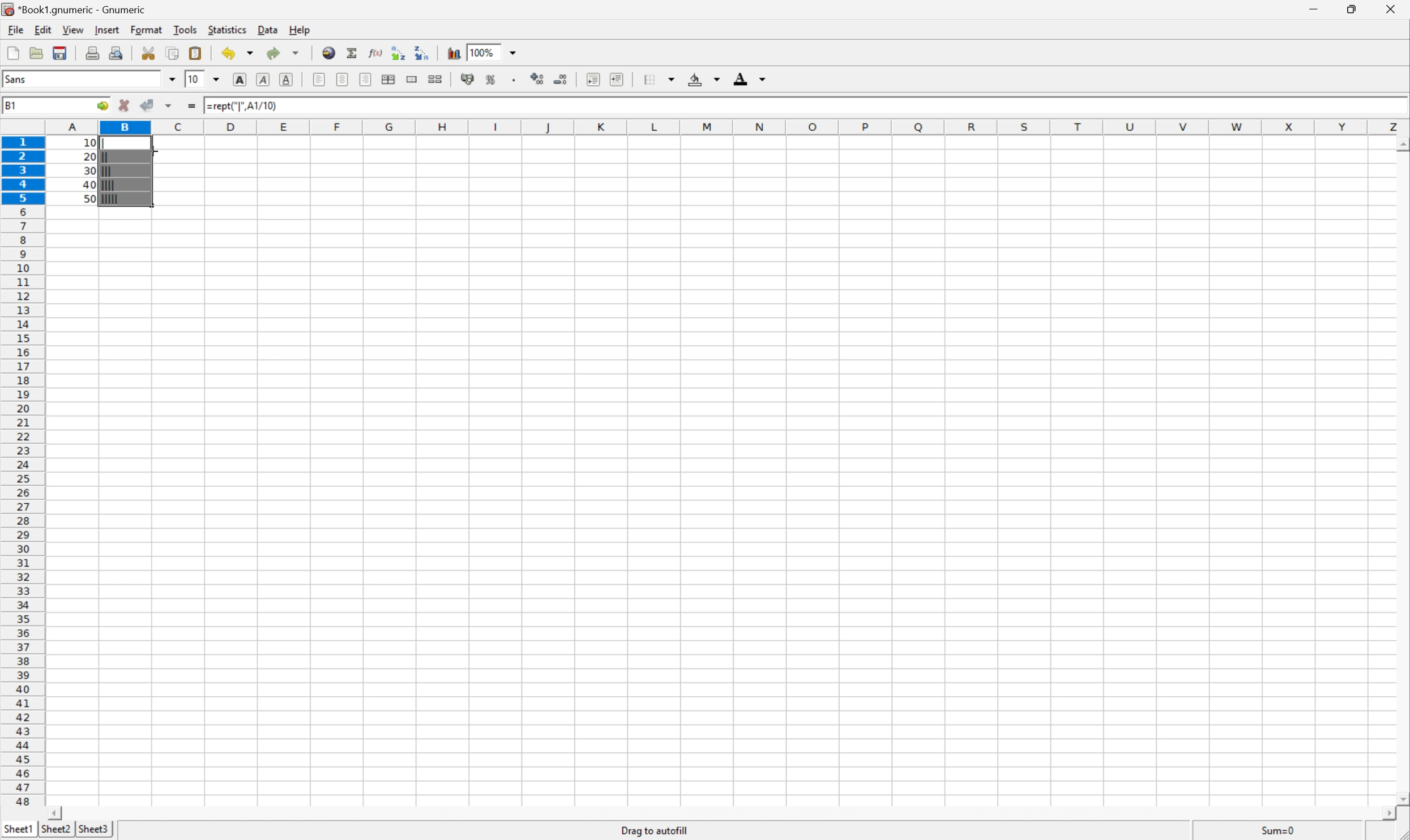  Describe the element at coordinates (435, 79) in the screenshot. I see `Split the ranges of merged cells` at that location.